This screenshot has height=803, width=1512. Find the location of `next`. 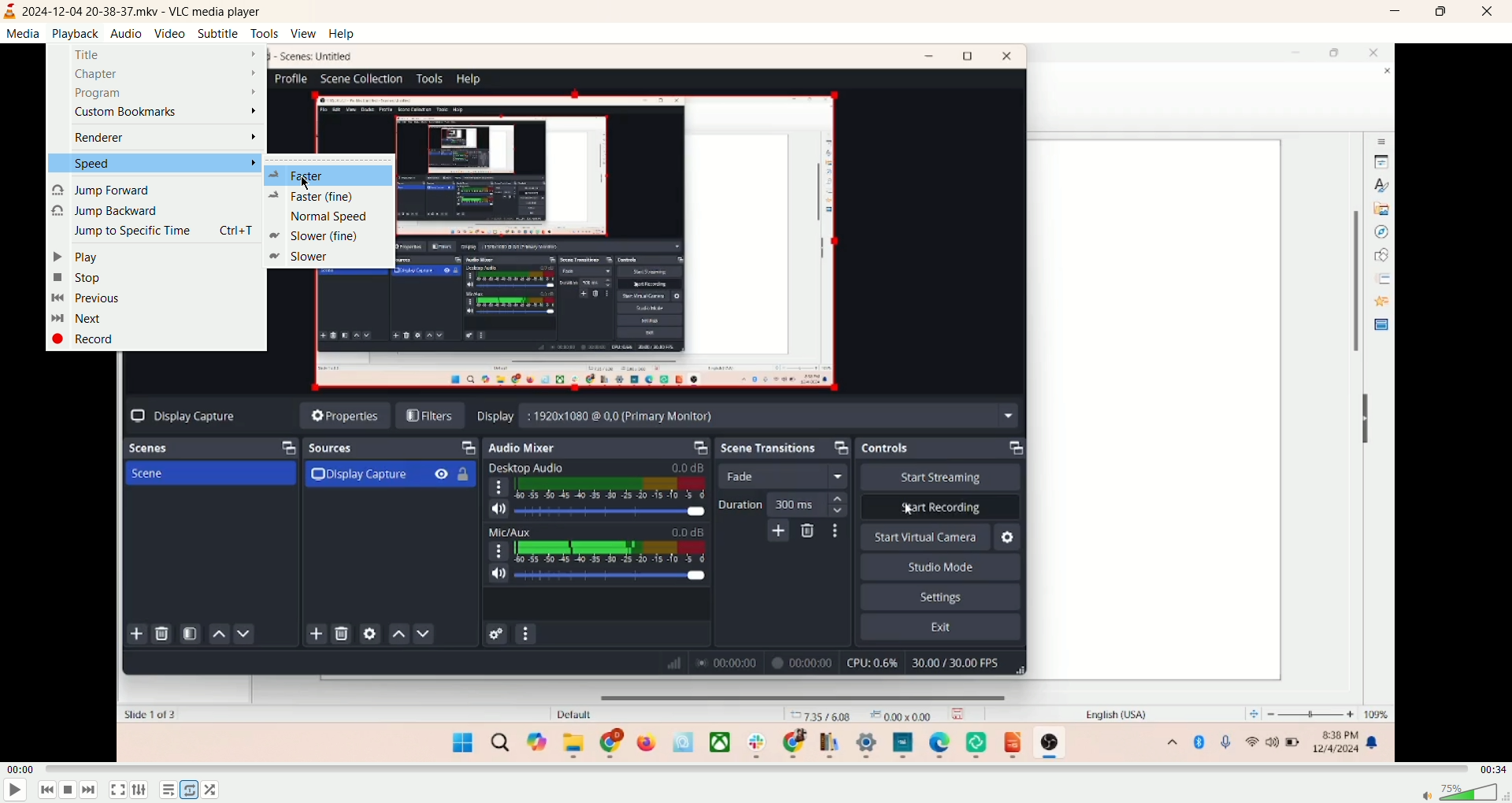

next is located at coordinates (94, 790).